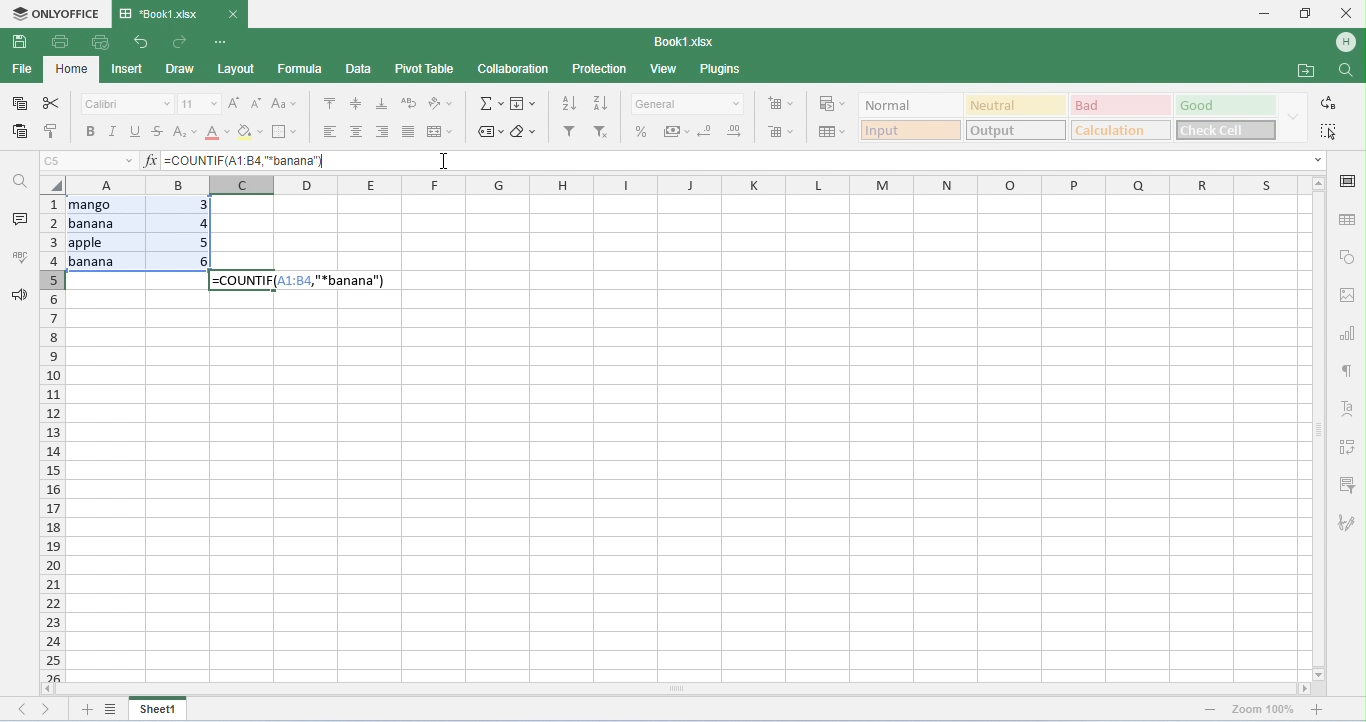  I want to click on drop down, so click(1317, 161).